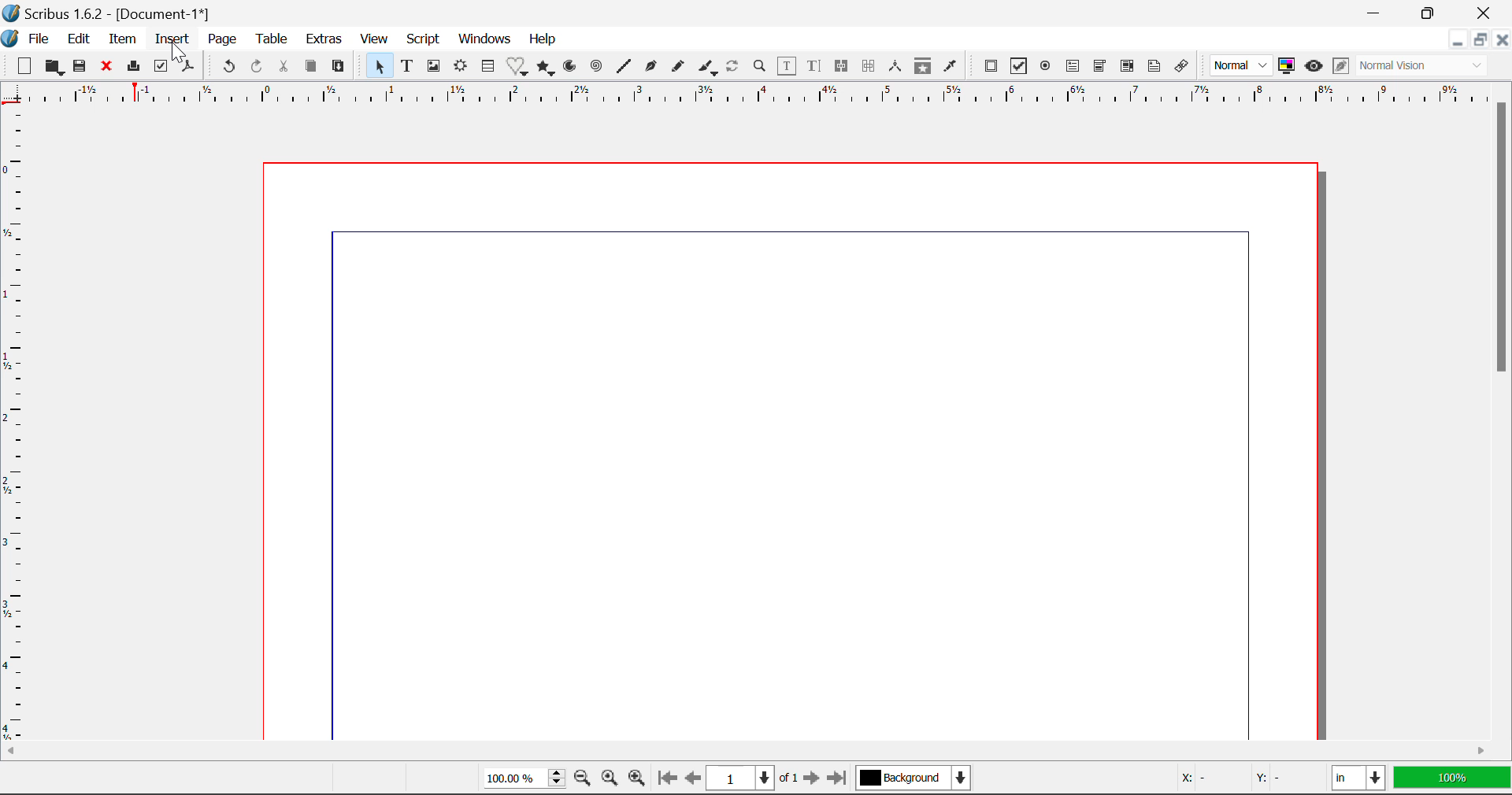 Image resolution: width=1512 pixels, height=795 pixels. I want to click on Preflight Verifier, so click(162, 70).